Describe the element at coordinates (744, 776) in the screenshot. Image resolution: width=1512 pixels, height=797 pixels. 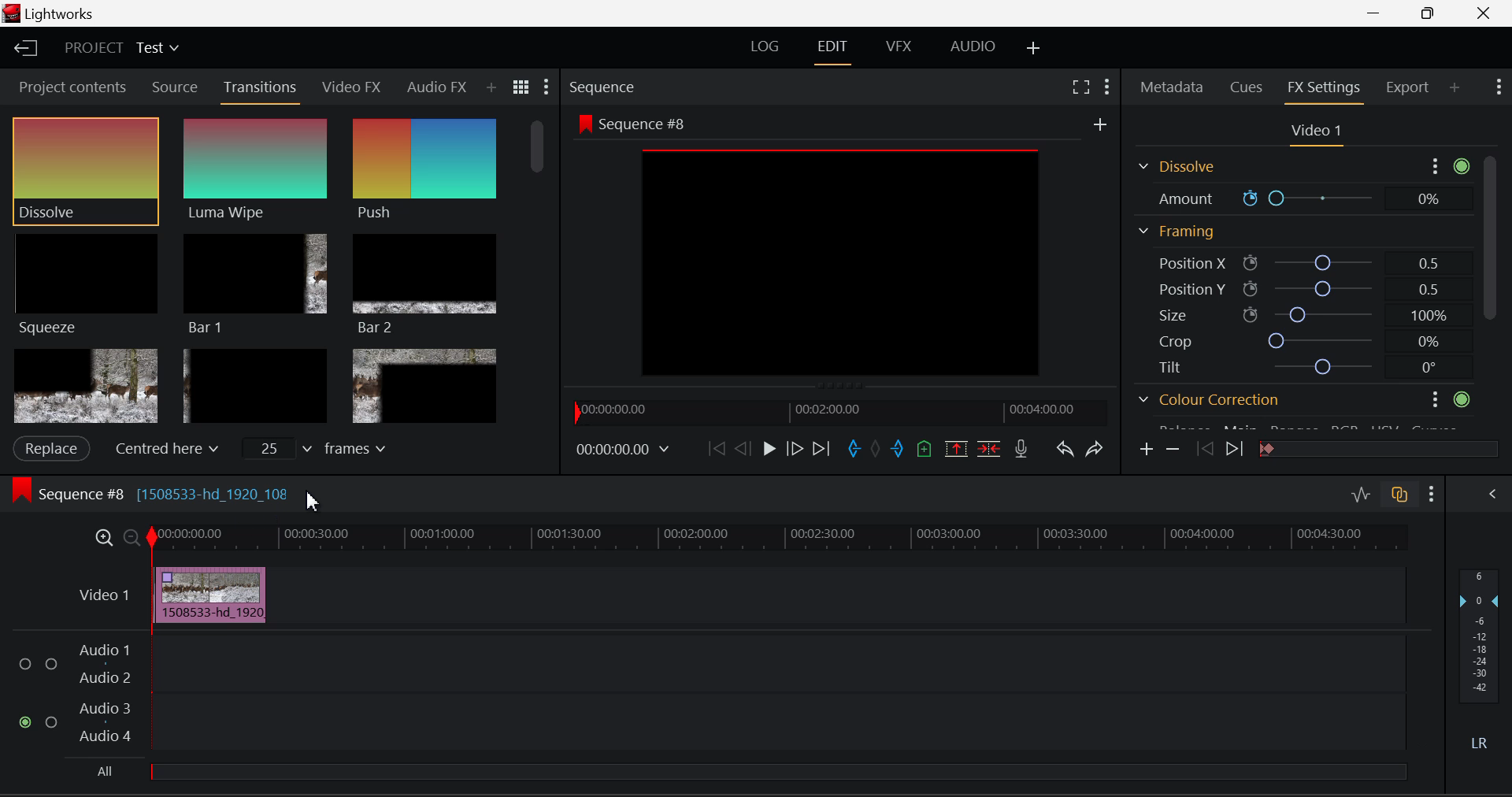
I see `All` at that location.